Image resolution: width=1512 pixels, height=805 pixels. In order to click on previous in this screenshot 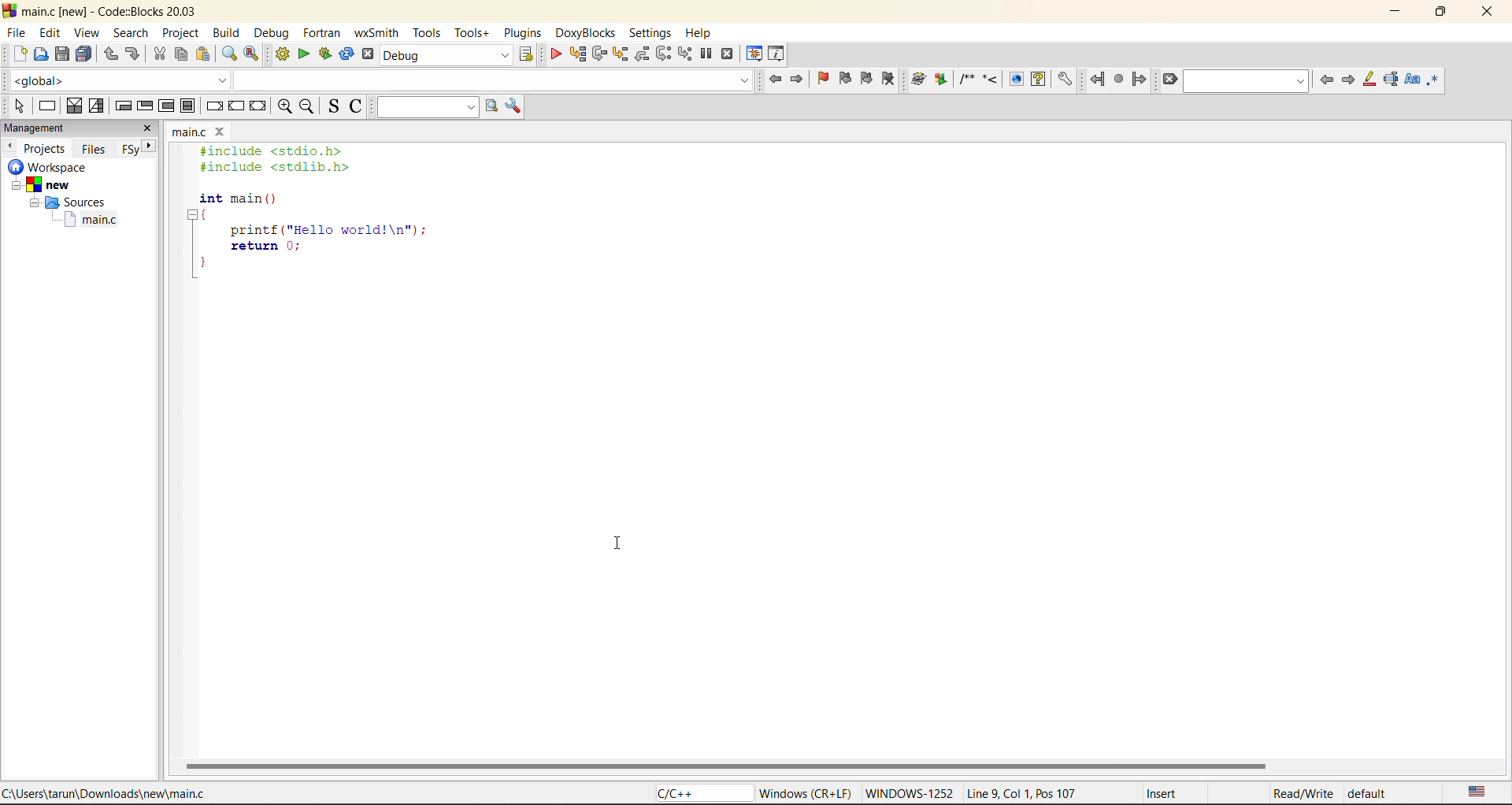, I will do `click(1326, 81)`.